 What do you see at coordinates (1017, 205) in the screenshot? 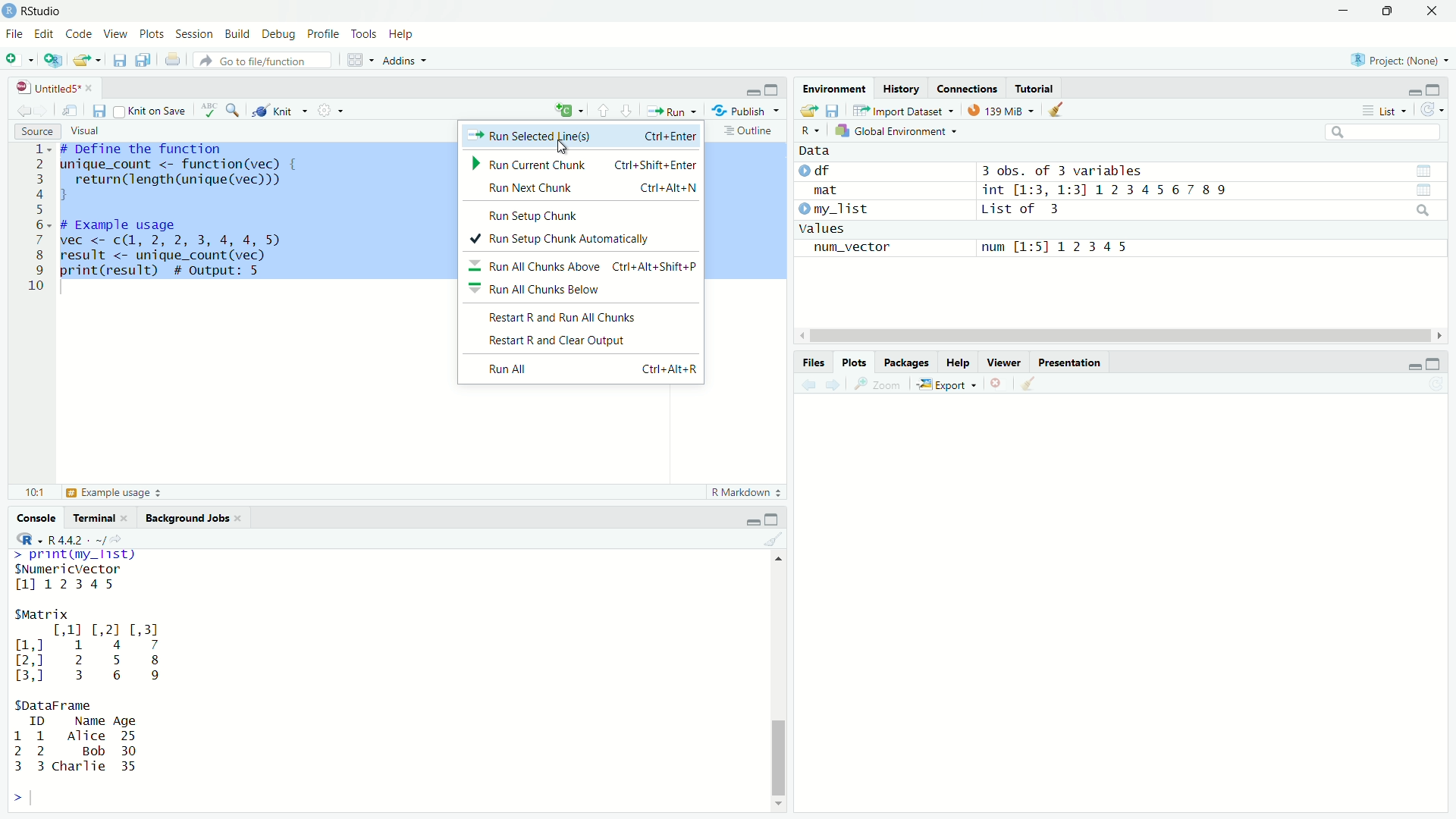
I see `Data df 3 obs. of 3 variablesmat int [1:3, 1:31 1234567 89 my_list List of 3valuesnum_vector num [1:51 12345` at bounding box center [1017, 205].